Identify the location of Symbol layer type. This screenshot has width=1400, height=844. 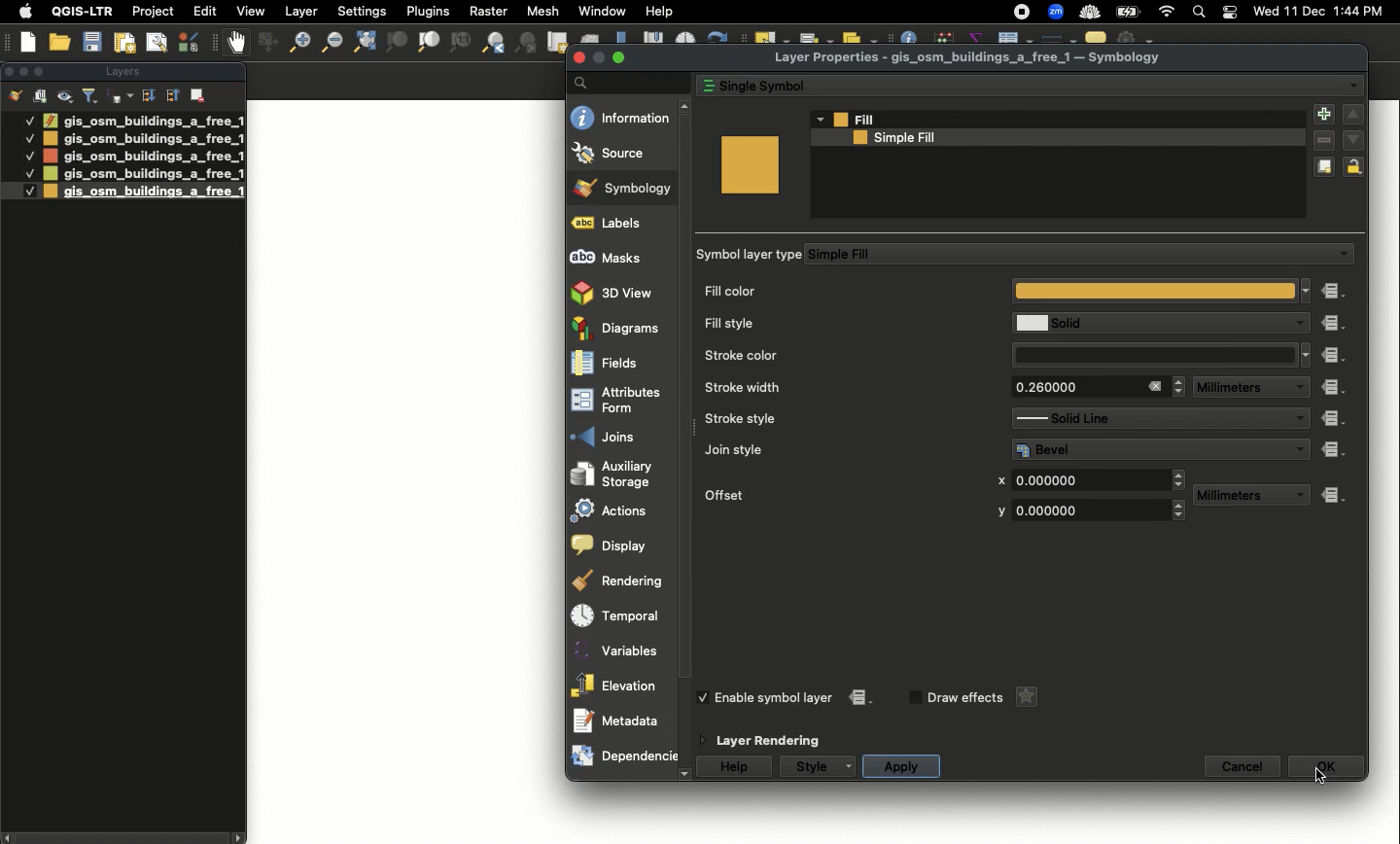
(752, 255).